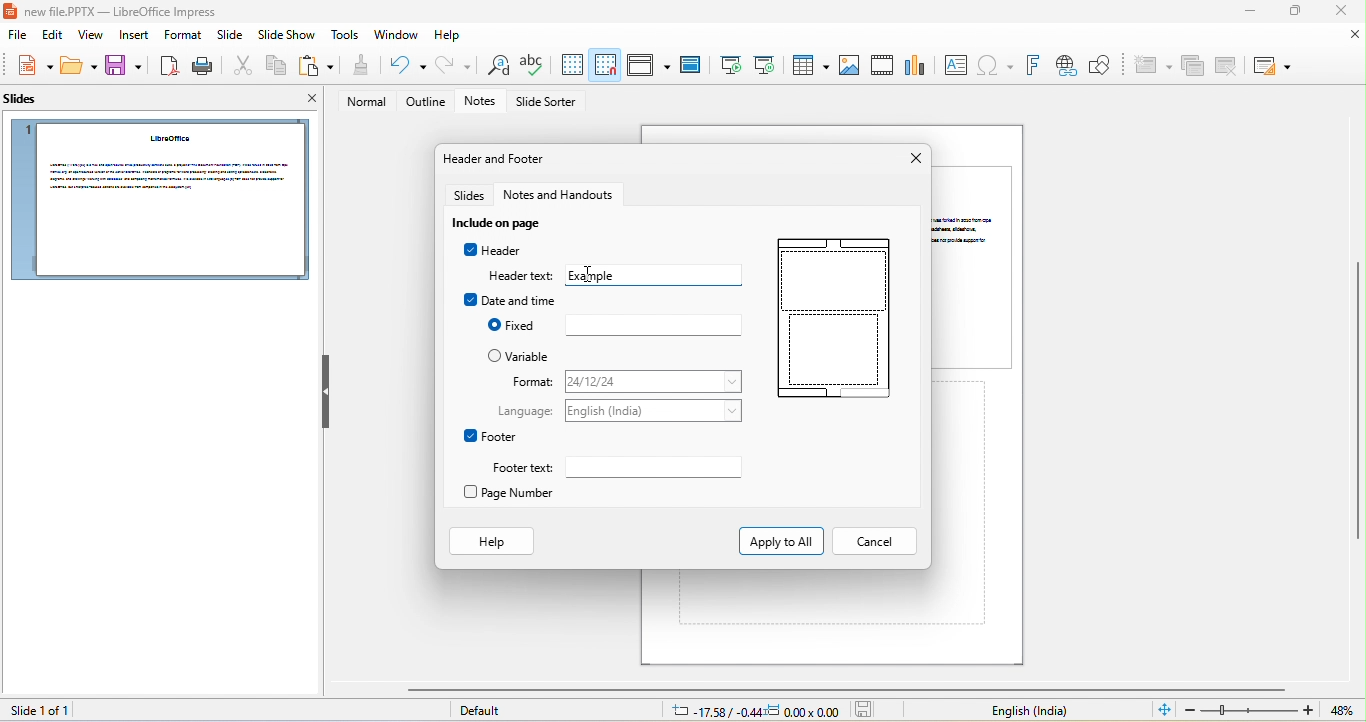  Describe the element at coordinates (869, 710) in the screenshot. I see `the document has not been modified since the last save` at that location.